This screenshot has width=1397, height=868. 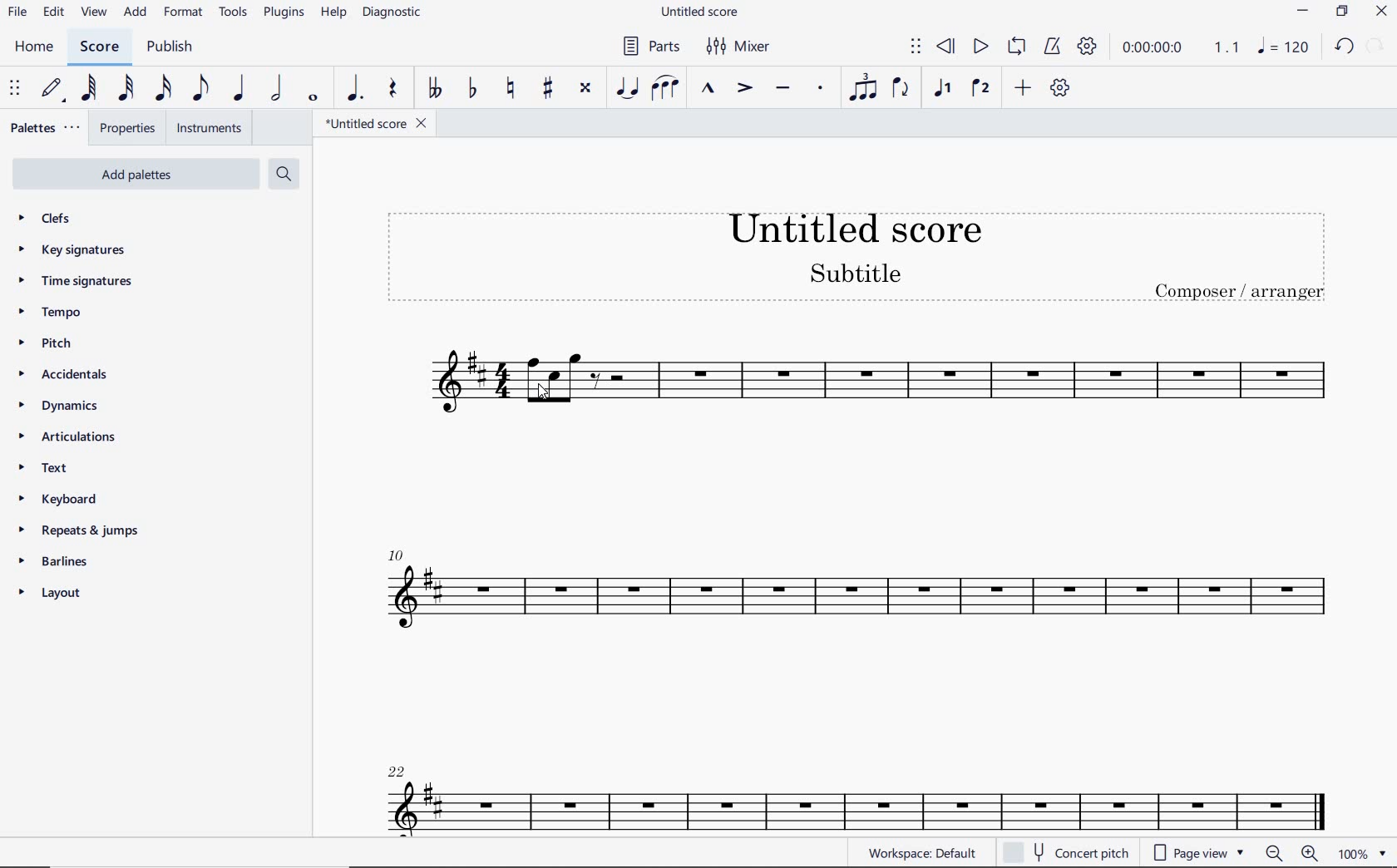 What do you see at coordinates (15, 89) in the screenshot?
I see `SELECET TO MOVE` at bounding box center [15, 89].